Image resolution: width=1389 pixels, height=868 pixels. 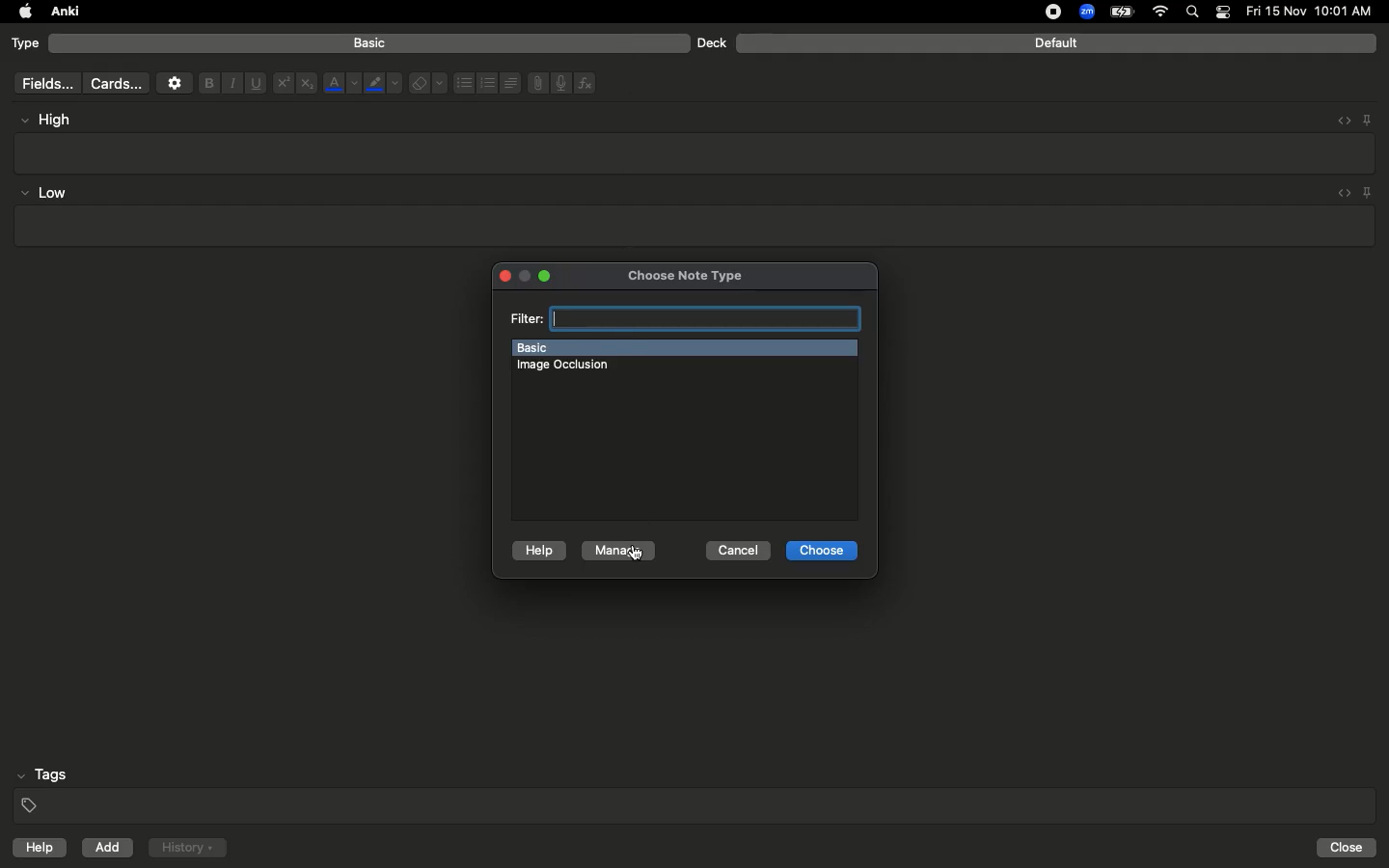 What do you see at coordinates (566, 367) in the screenshot?
I see `Image occlusion` at bounding box center [566, 367].